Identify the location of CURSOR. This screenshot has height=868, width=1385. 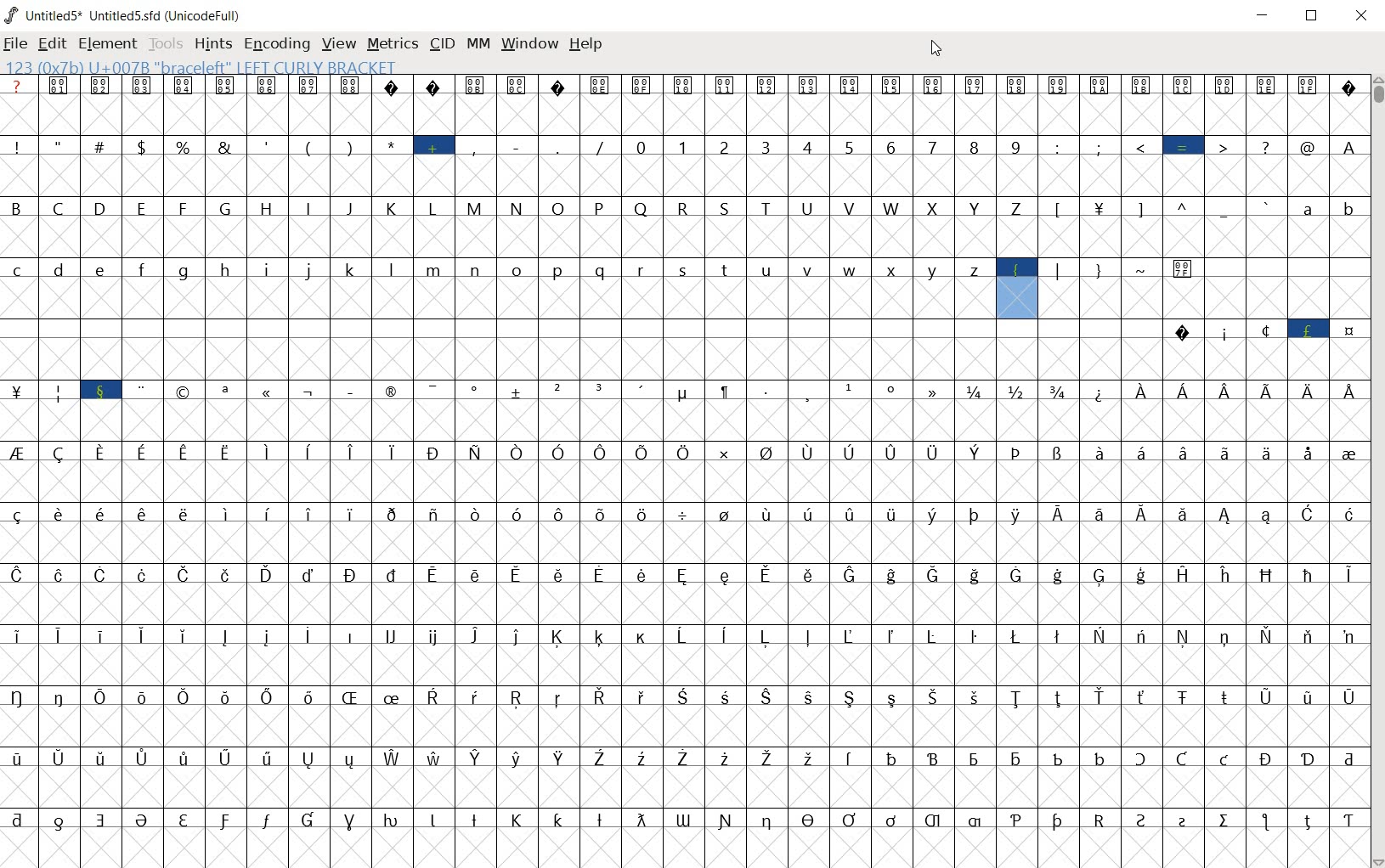
(936, 48).